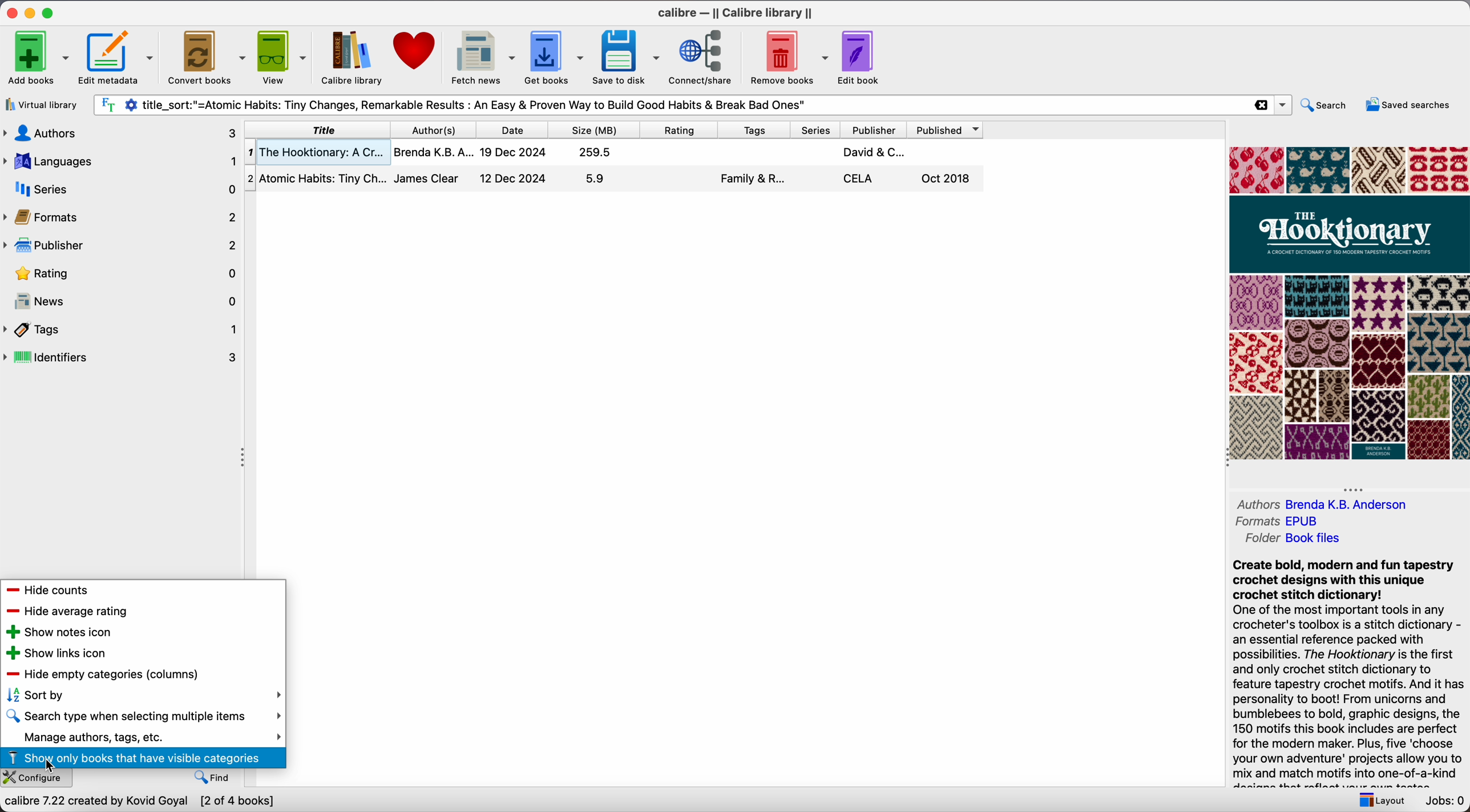 Image resolution: width=1470 pixels, height=812 pixels. What do you see at coordinates (1441, 802) in the screenshot?
I see `Jobs: 0` at bounding box center [1441, 802].